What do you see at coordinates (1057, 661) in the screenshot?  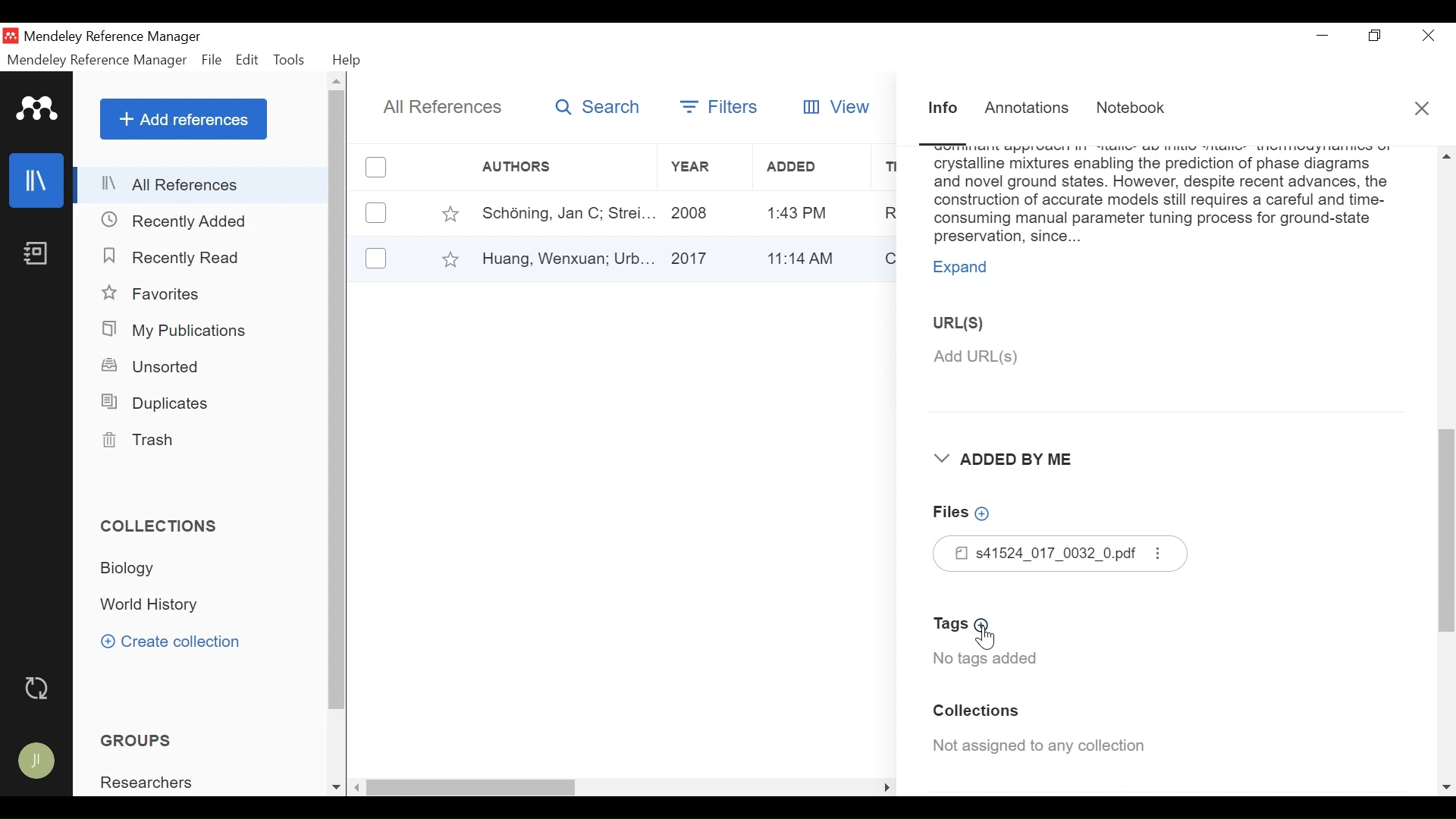 I see `No tags added` at bounding box center [1057, 661].